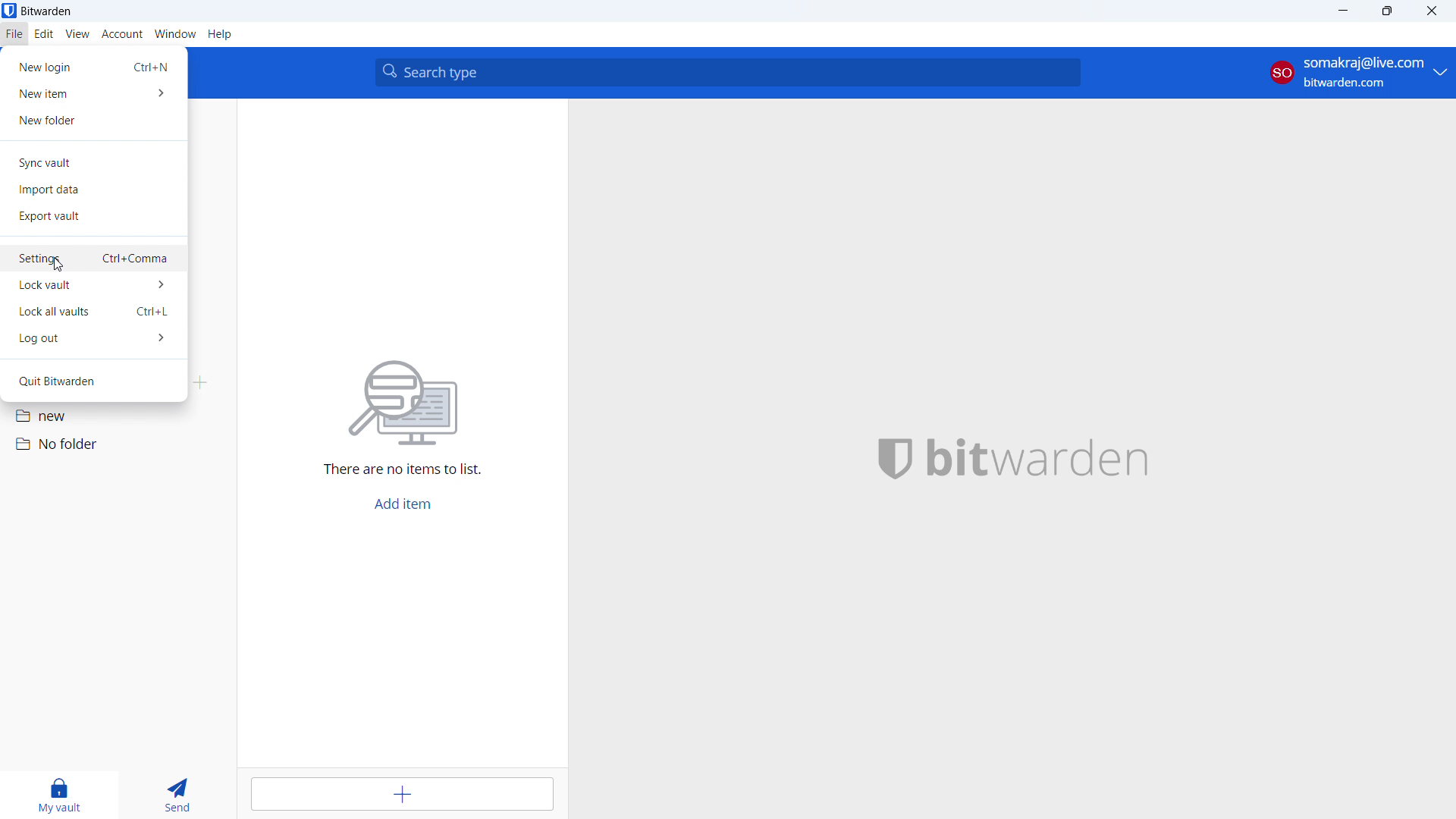 This screenshot has height=819, width=1456. Describe the element at coordinates (93, 67) in the screenshot. I see `new login` at that location.